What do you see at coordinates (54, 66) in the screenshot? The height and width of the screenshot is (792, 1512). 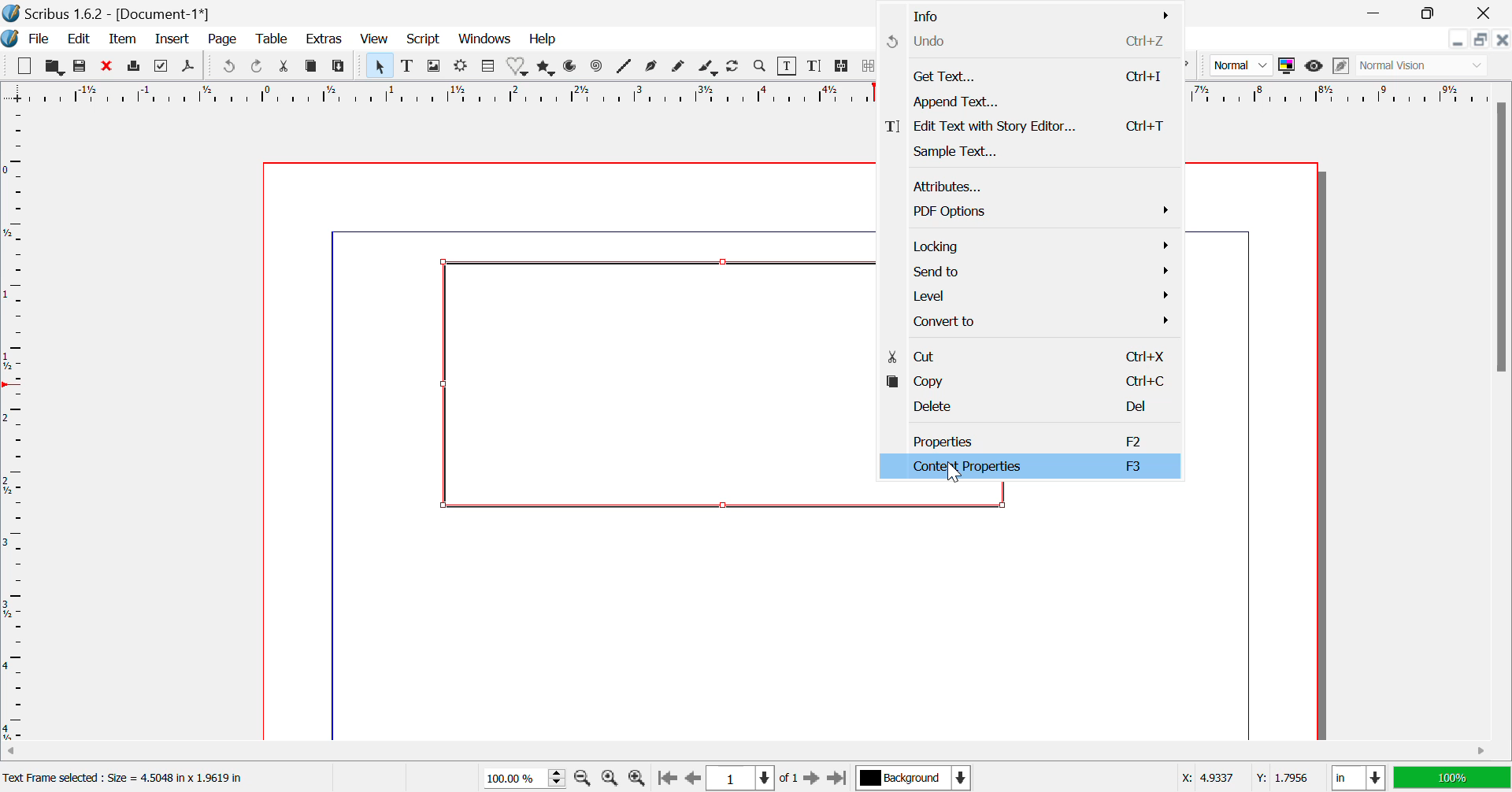 I see `Open` at bounding box center [54, 66].